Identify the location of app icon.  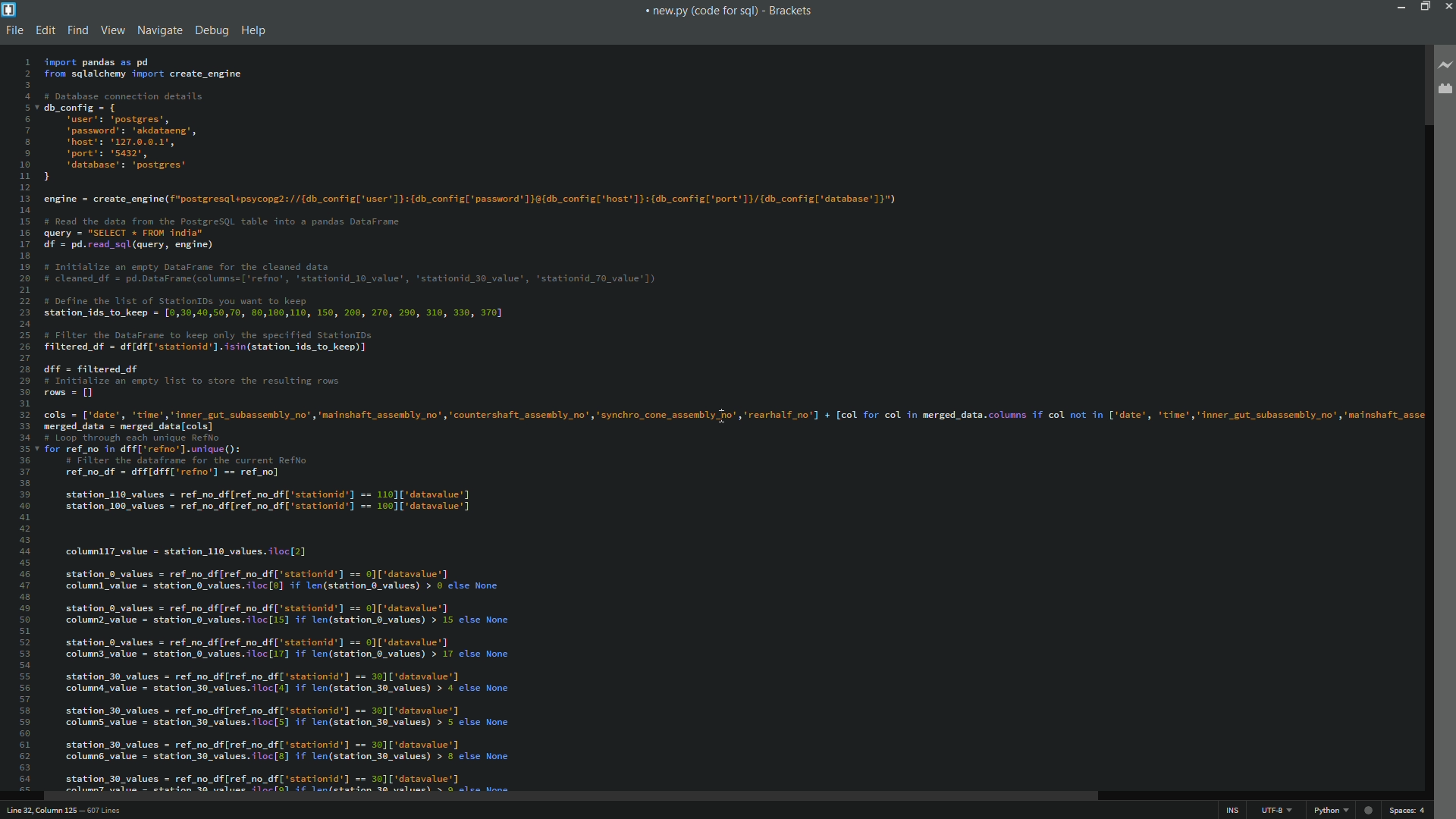
(9, 9).